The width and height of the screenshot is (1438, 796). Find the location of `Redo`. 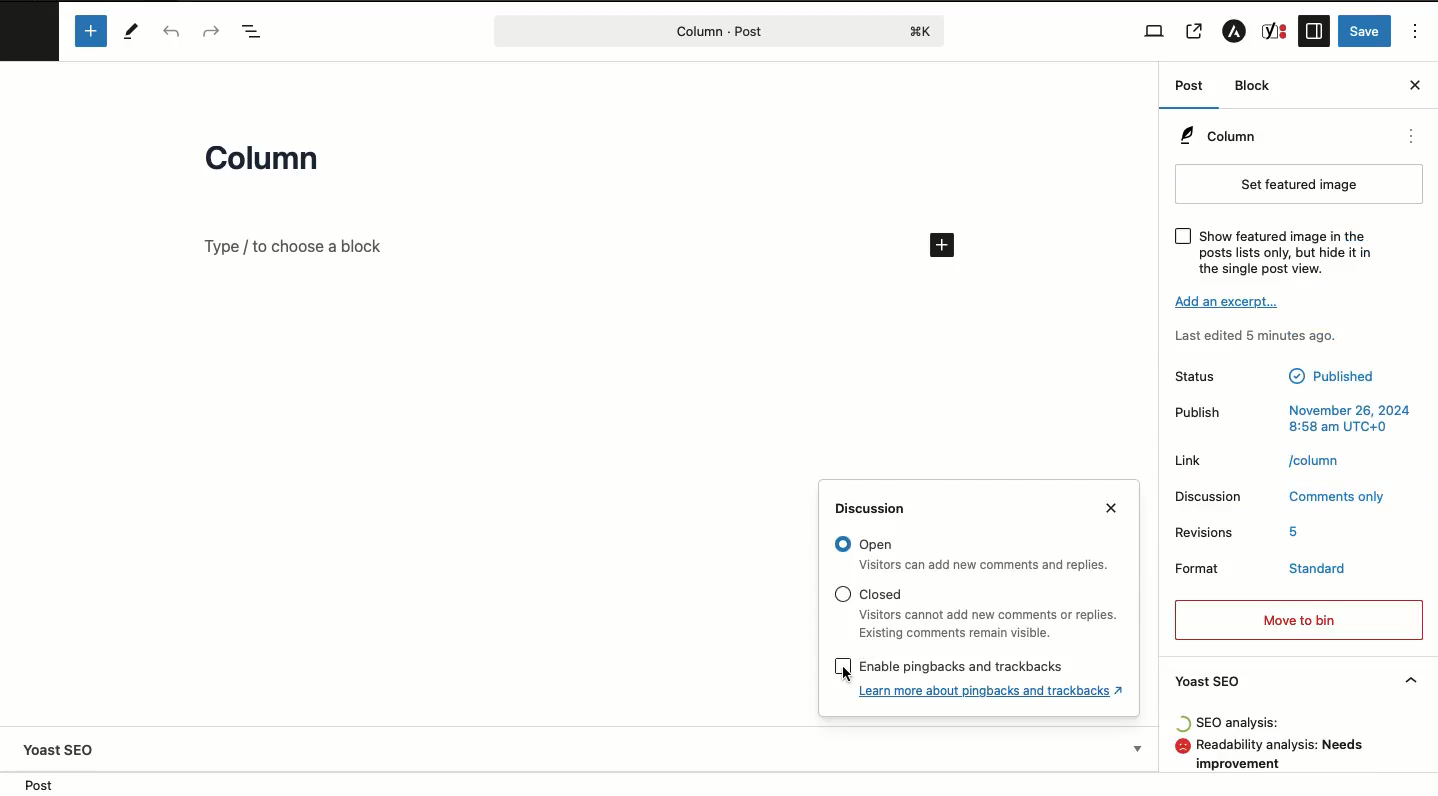

Redo is located at coordinates (212, 30).